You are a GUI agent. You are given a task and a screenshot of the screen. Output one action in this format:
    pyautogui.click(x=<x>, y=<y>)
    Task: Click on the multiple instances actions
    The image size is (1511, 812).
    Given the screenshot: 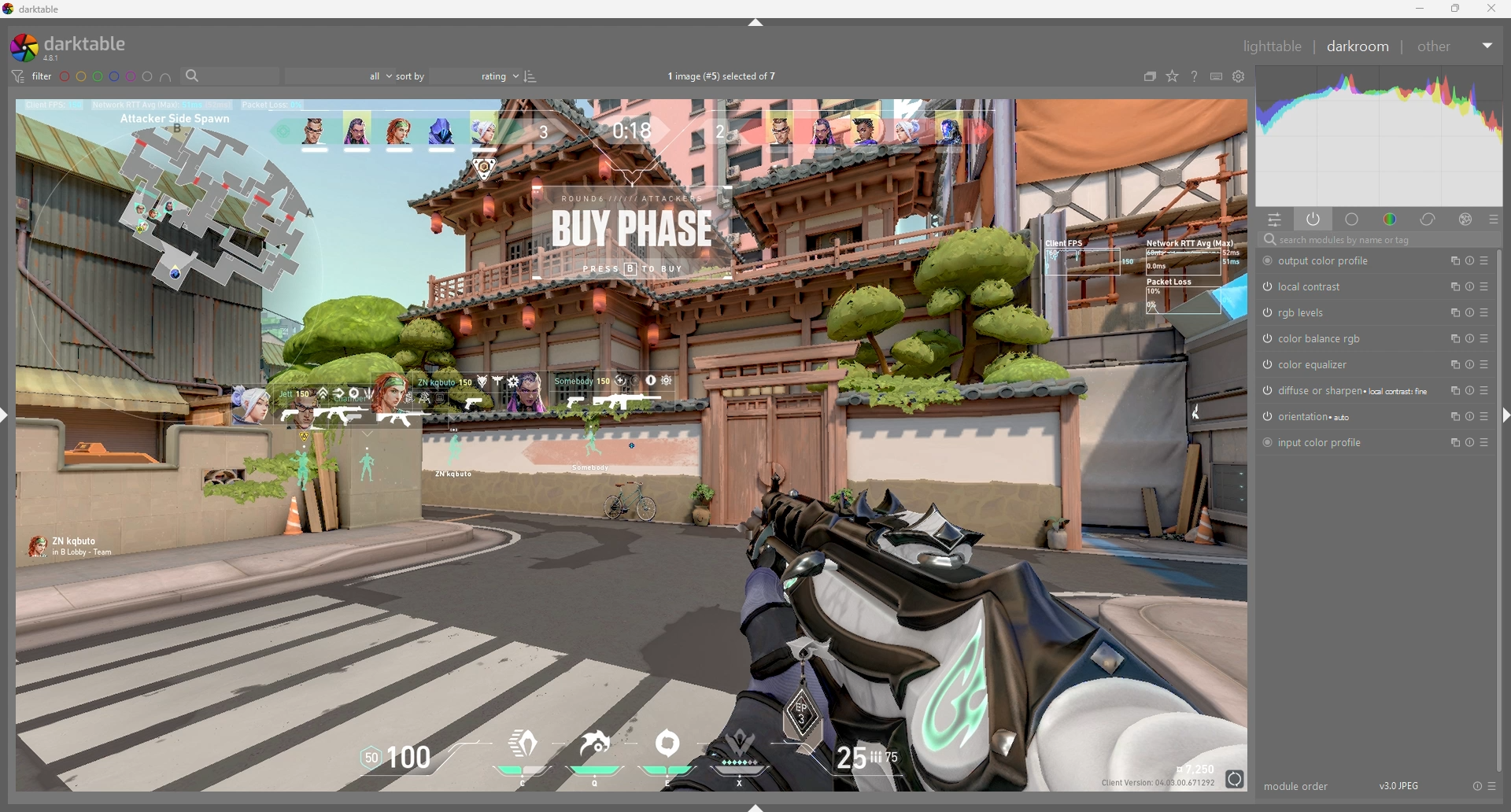 What is the action you would take?
    pyautogui.click(x=1451, y=365)
    